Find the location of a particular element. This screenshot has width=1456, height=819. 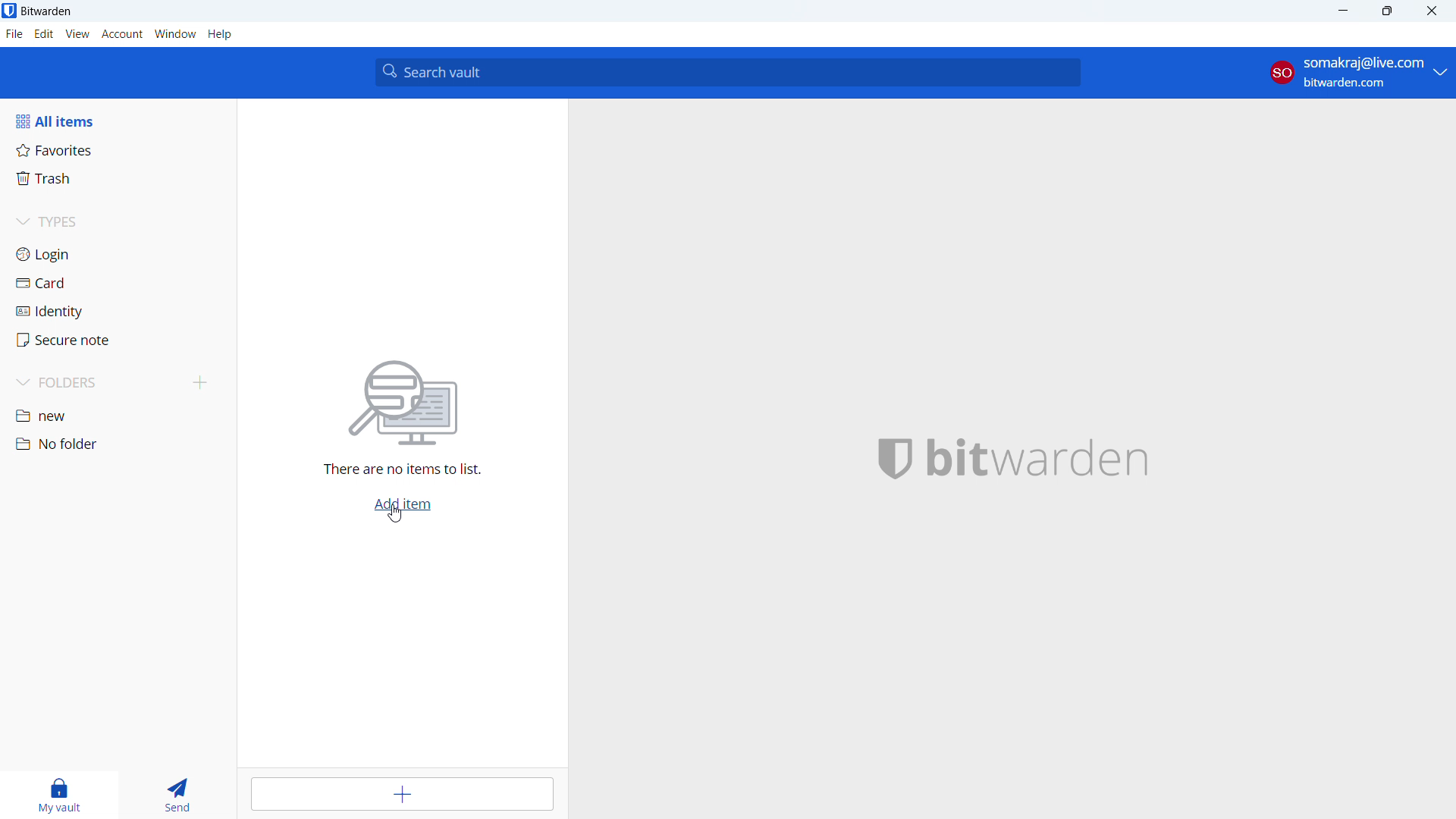

minimize is located at coordinates (1341, 11).